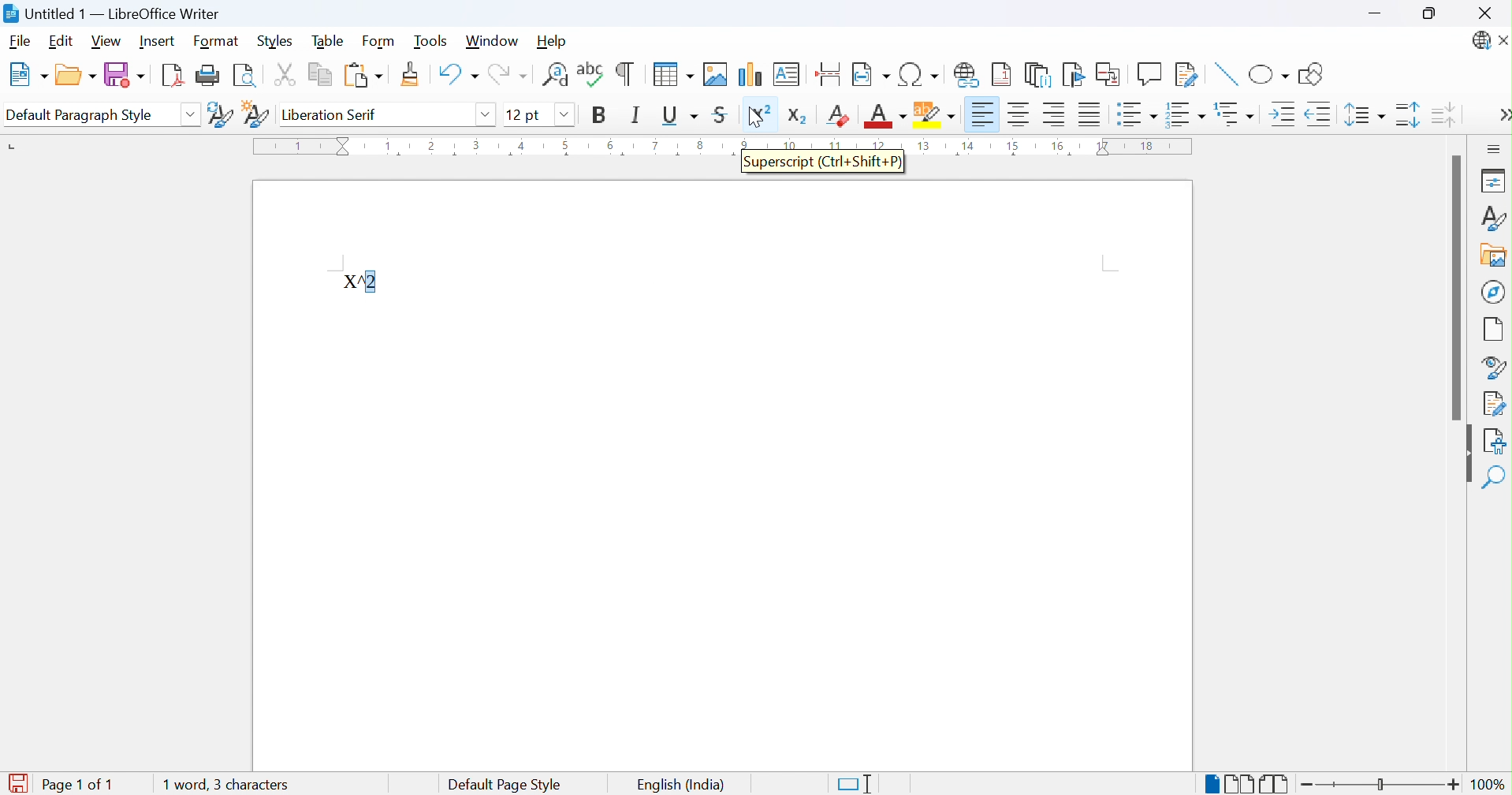 Image resolution: width=1512 pixels, height=795 pixels. I want to click on Minimize, so click(1375, 15).